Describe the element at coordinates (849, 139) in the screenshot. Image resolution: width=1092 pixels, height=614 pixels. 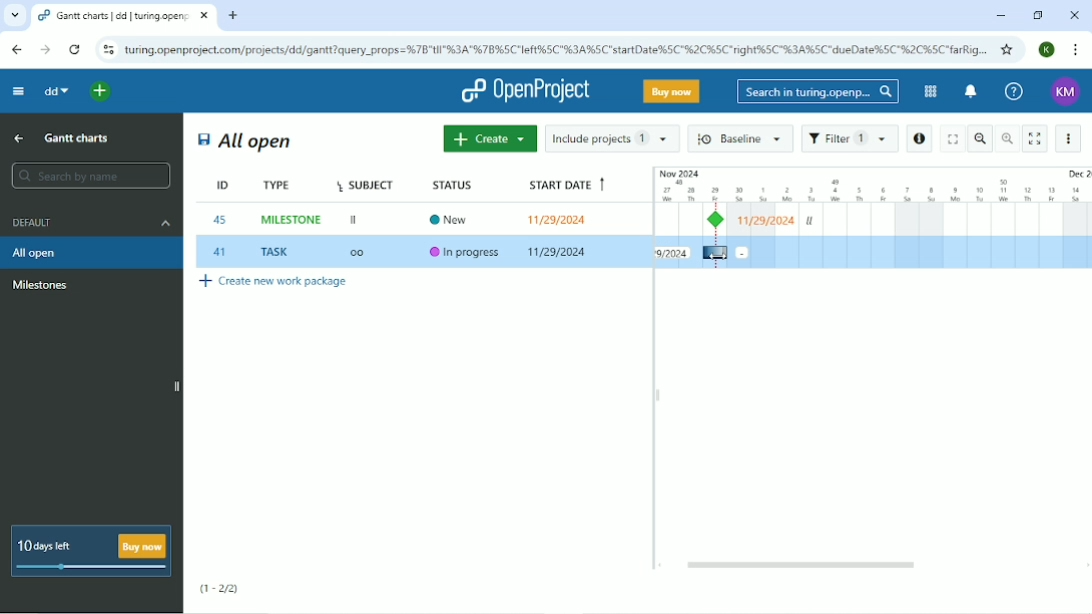
I see `Filter` at that location.